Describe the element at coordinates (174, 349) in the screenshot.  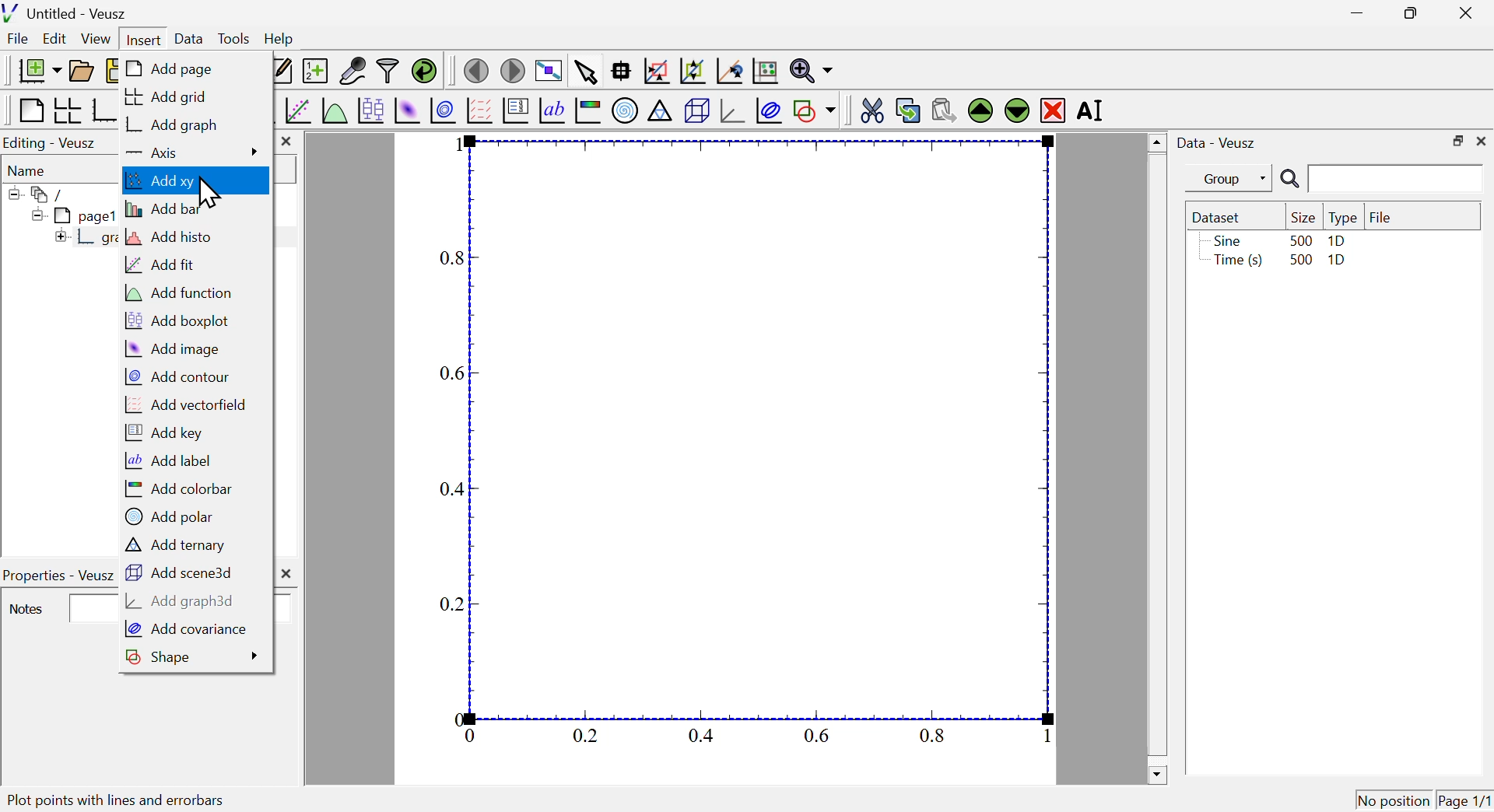
I see `add image` at that location.